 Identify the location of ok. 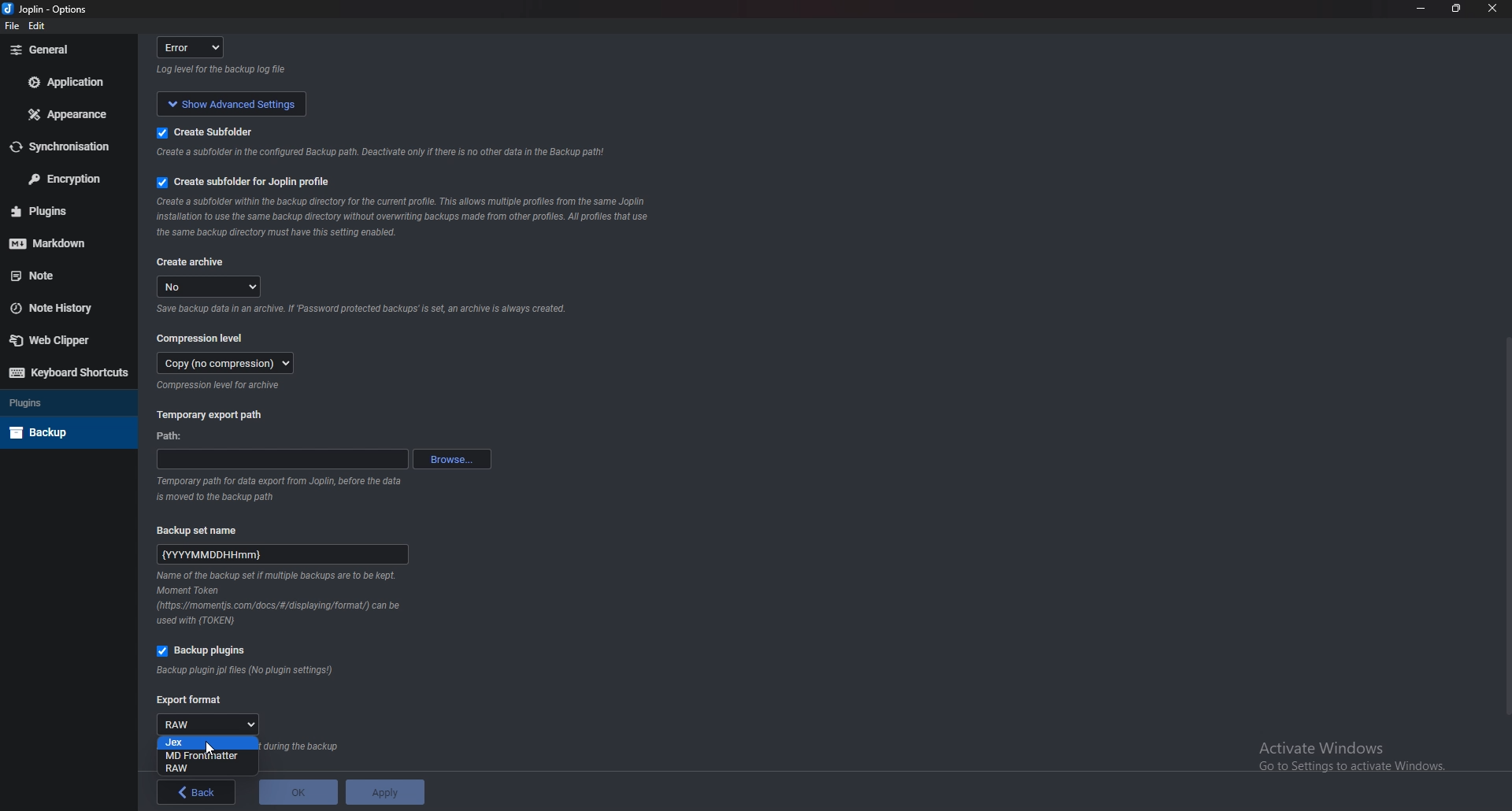
(298, 792).